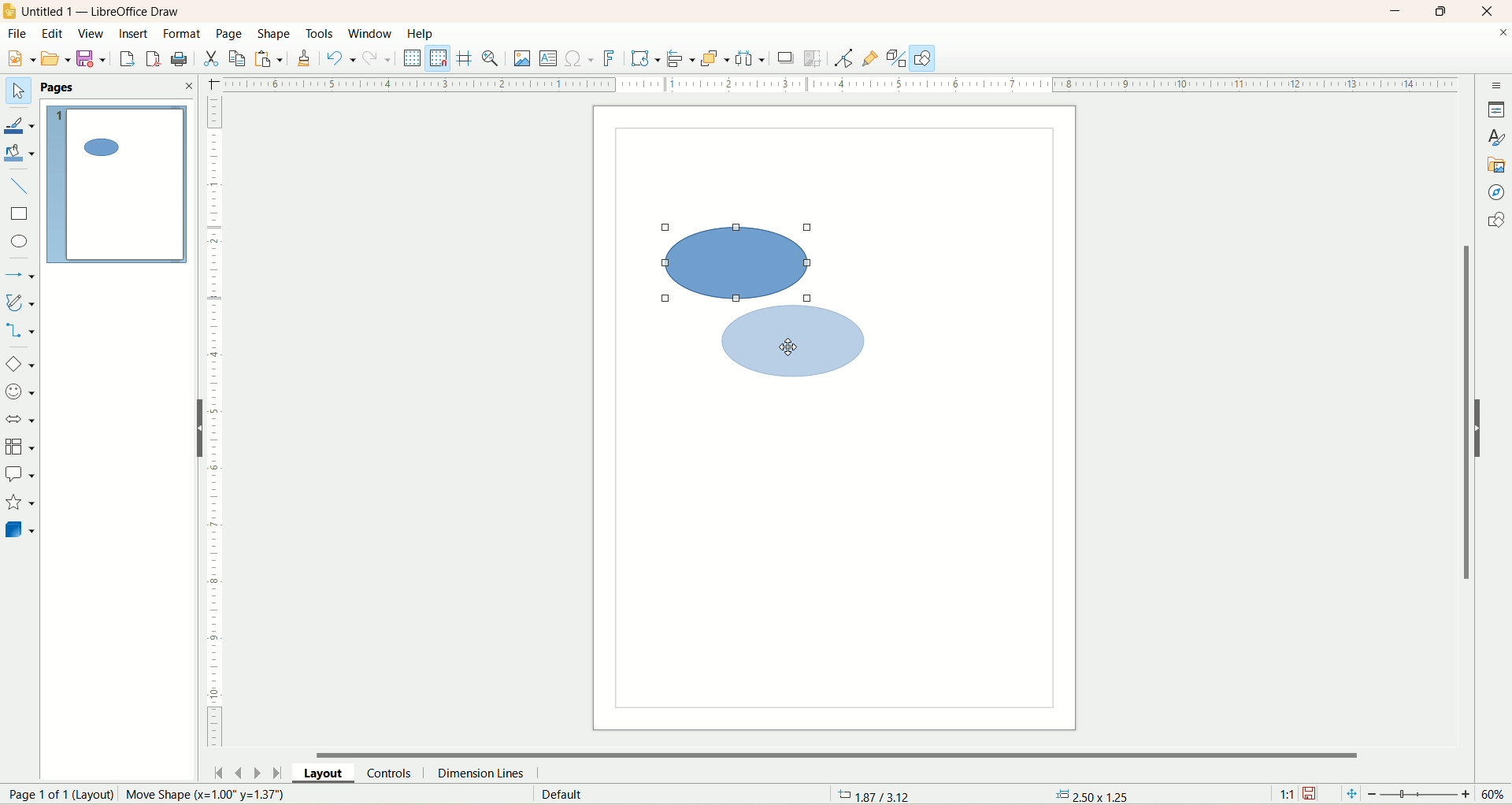 The image size is (1512, 805). Describe the element at coordinates (1499, 194) in the screenshot. I see `navigator` at that location.